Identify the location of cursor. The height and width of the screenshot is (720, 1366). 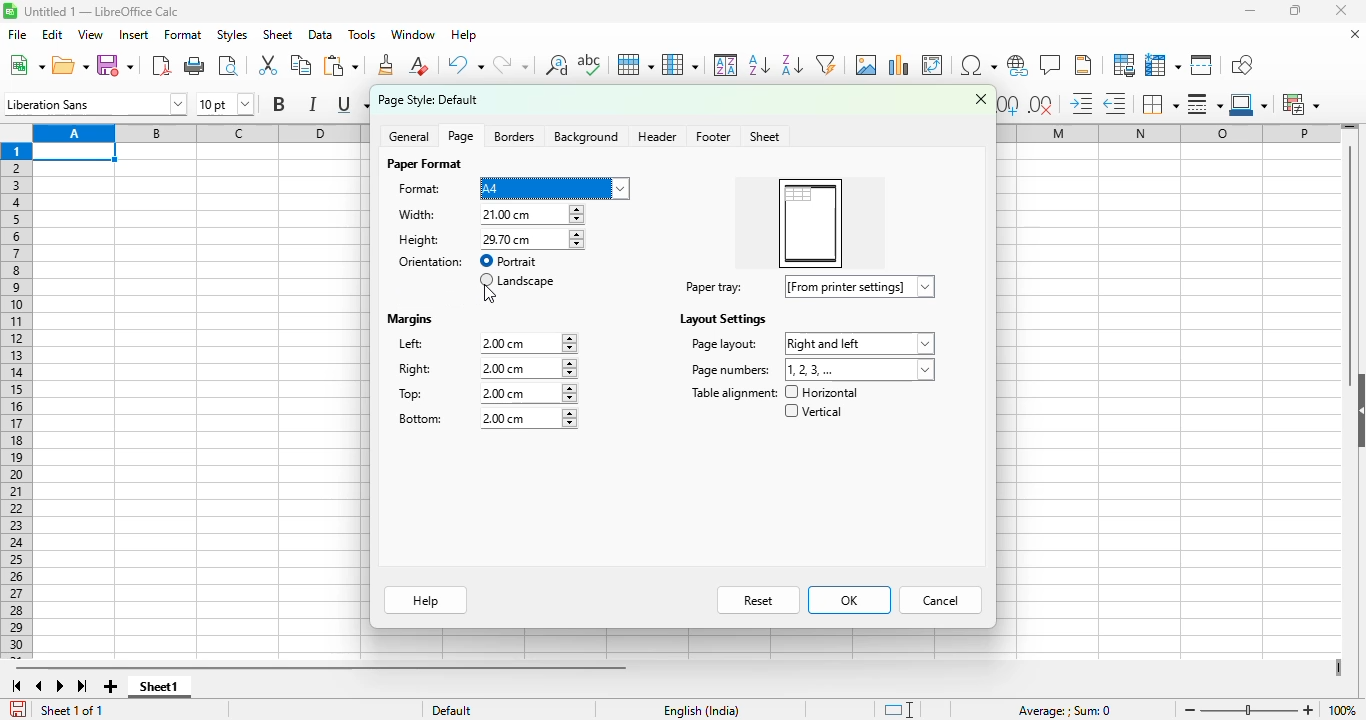
(489, 294).